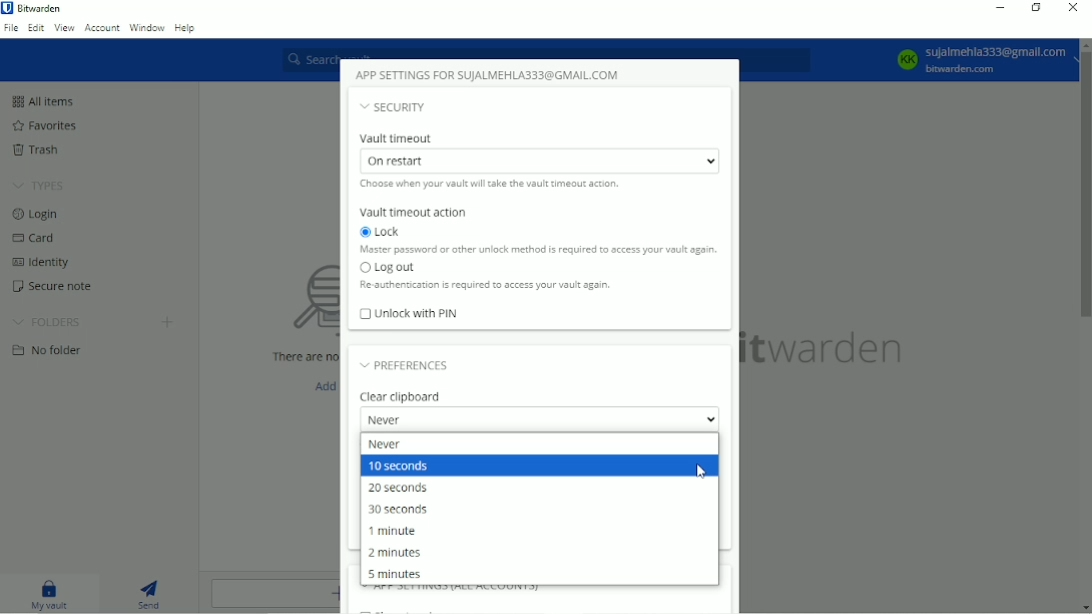  Describe the element at coordinates (44, 262) in the screenshot. I see `Identity` at that location.